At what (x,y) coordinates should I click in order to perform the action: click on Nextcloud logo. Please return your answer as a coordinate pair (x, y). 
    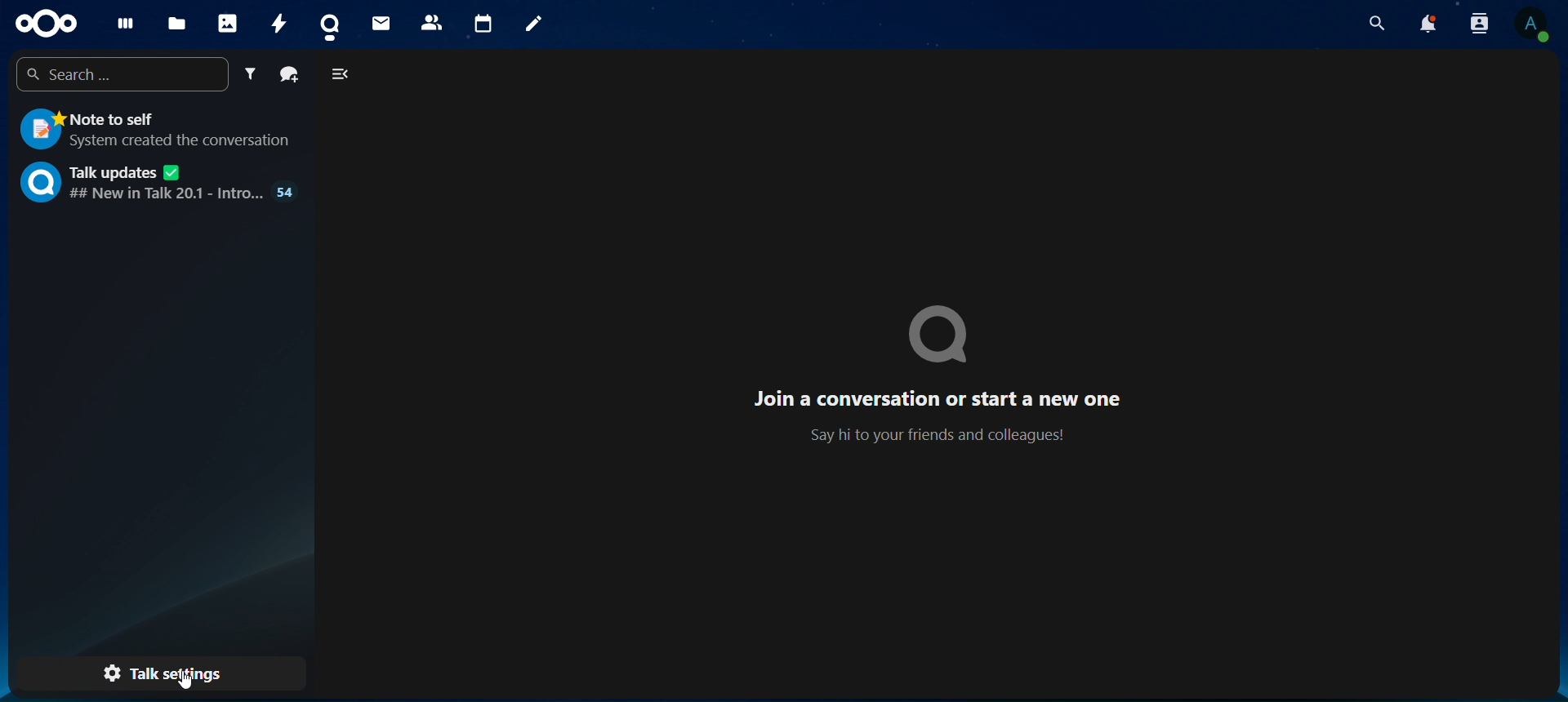
    Looking at the image, I should click on (42, 22).